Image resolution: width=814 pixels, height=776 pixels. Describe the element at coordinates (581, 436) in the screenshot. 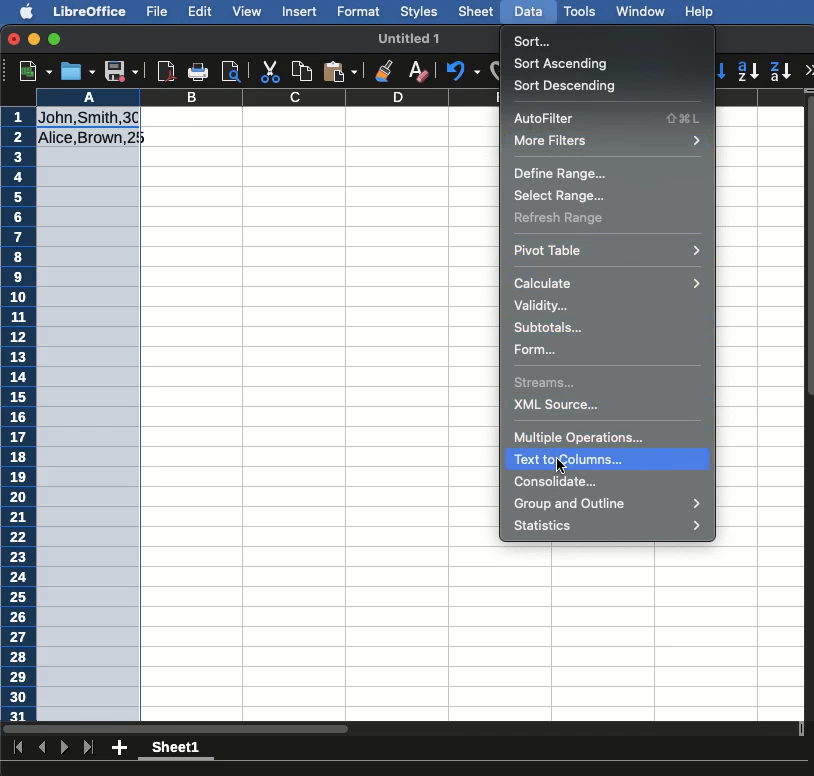

I see `Multiple operations` at that location.